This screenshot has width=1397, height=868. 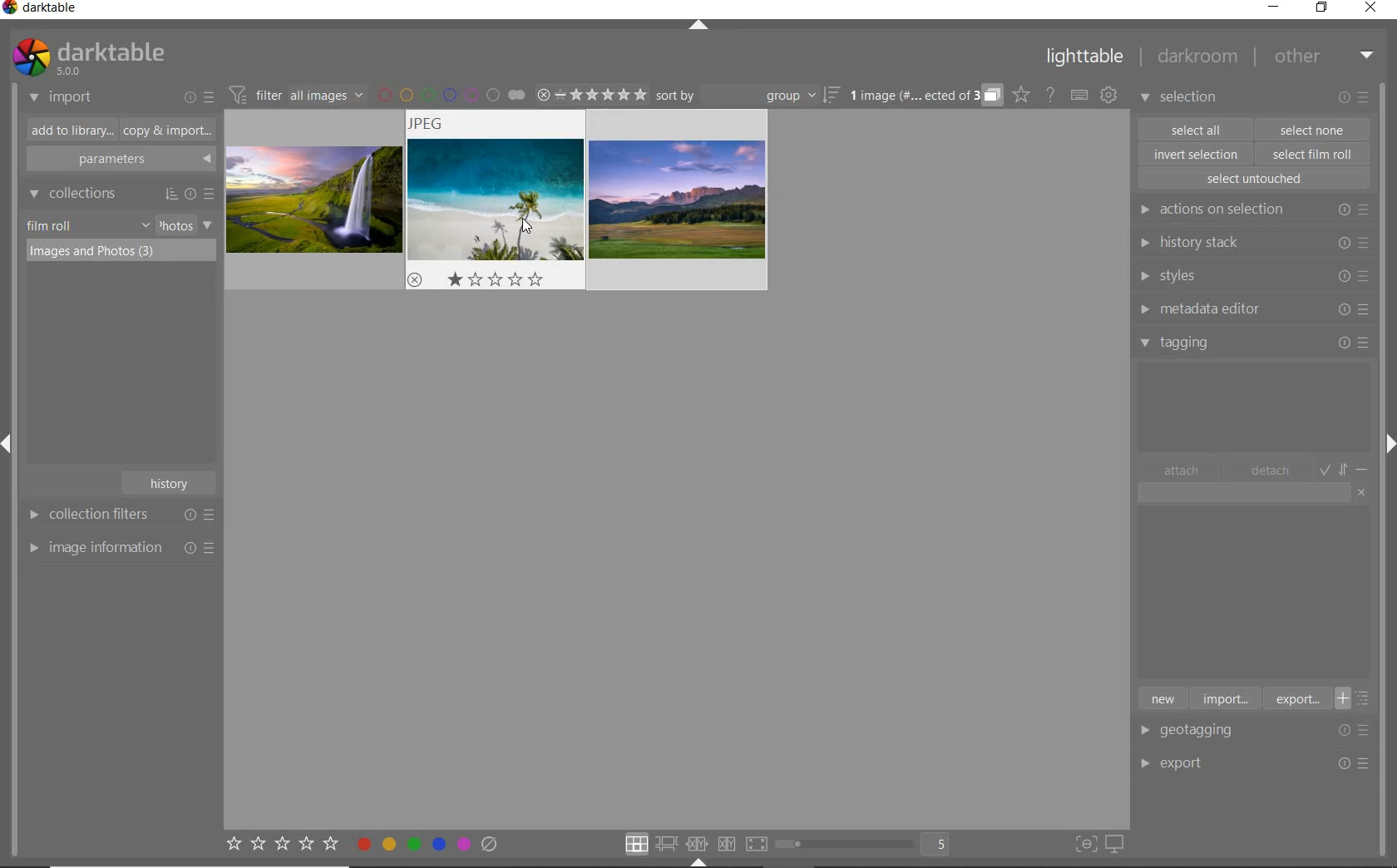 What do you see at coordinates (1108, 96) in the screenshot?
I see `show global preferences` at bounding box center [1108, 96].